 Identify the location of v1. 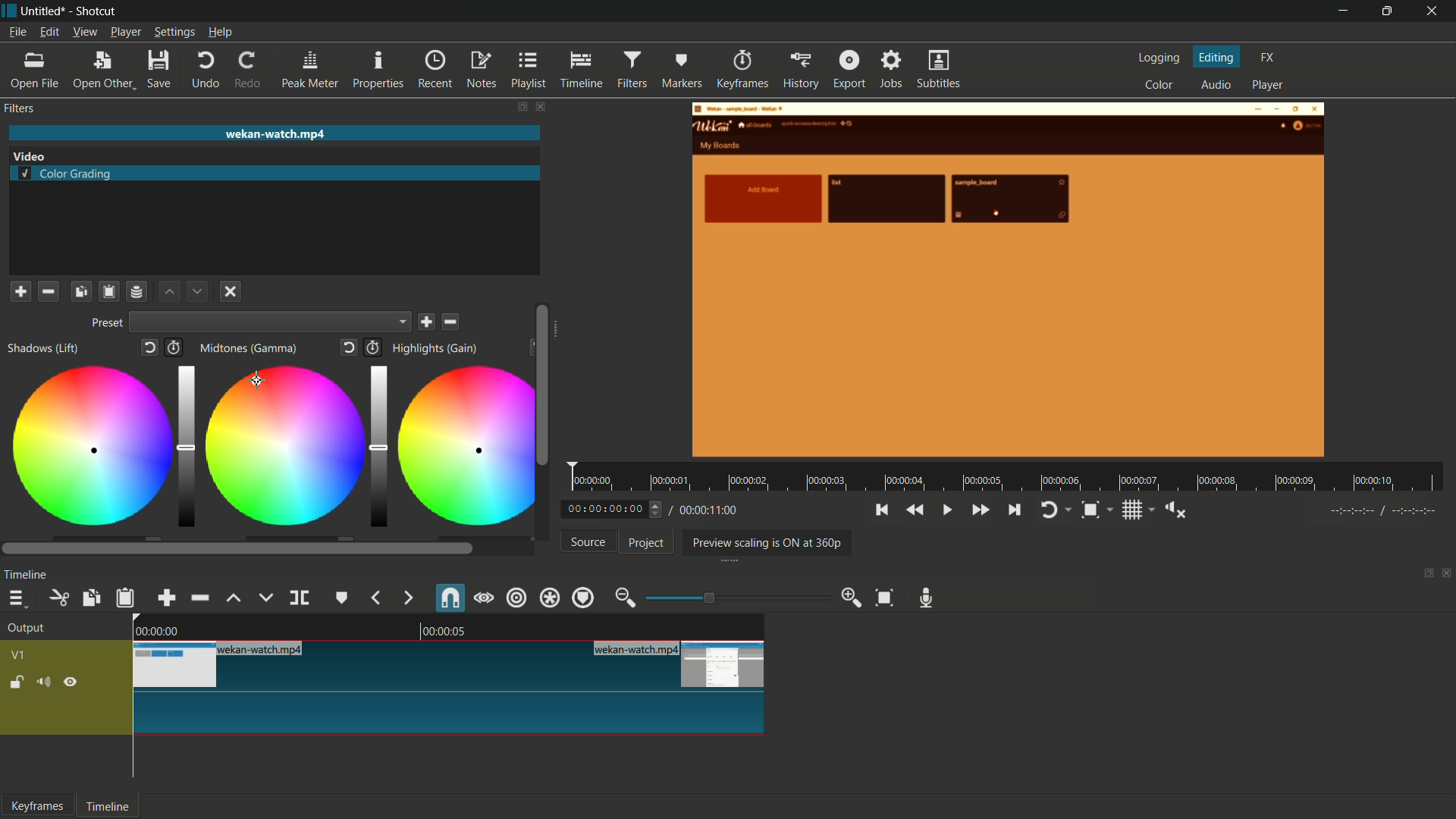
(19, 655).